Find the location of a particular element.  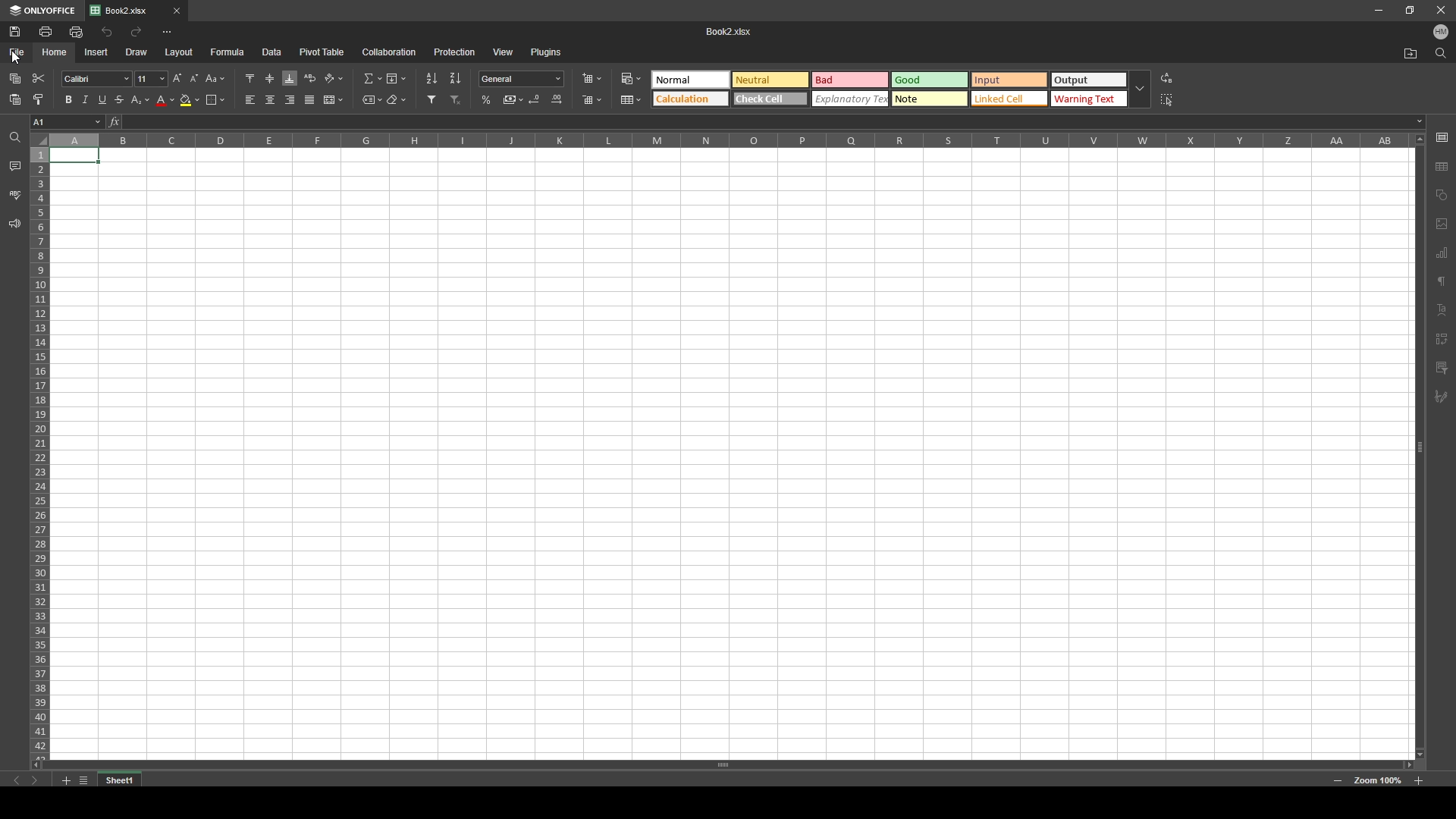

change case is located at coordinates (215, 79).